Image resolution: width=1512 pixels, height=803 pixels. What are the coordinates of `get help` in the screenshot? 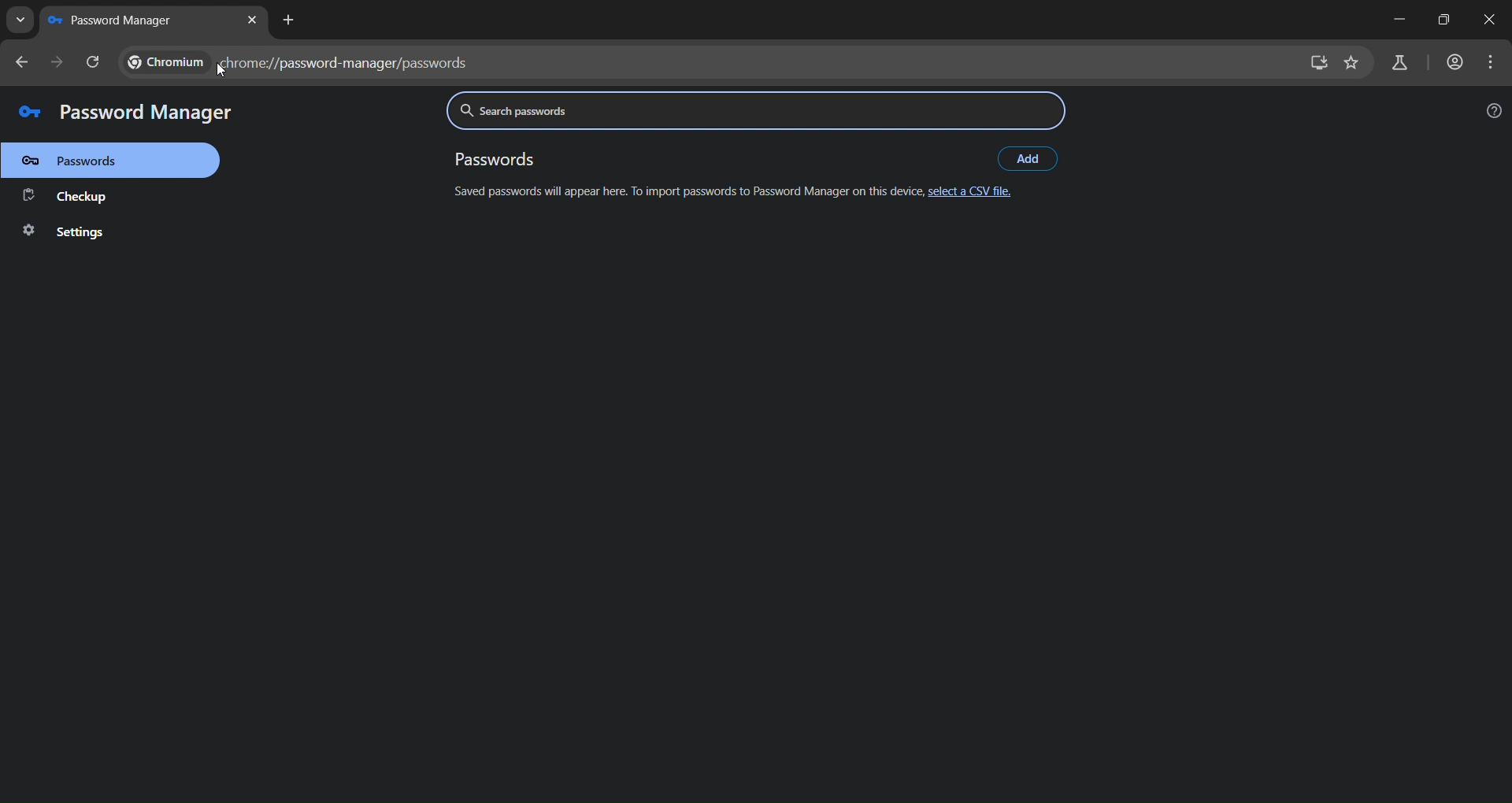 It's located at (1495, 111).